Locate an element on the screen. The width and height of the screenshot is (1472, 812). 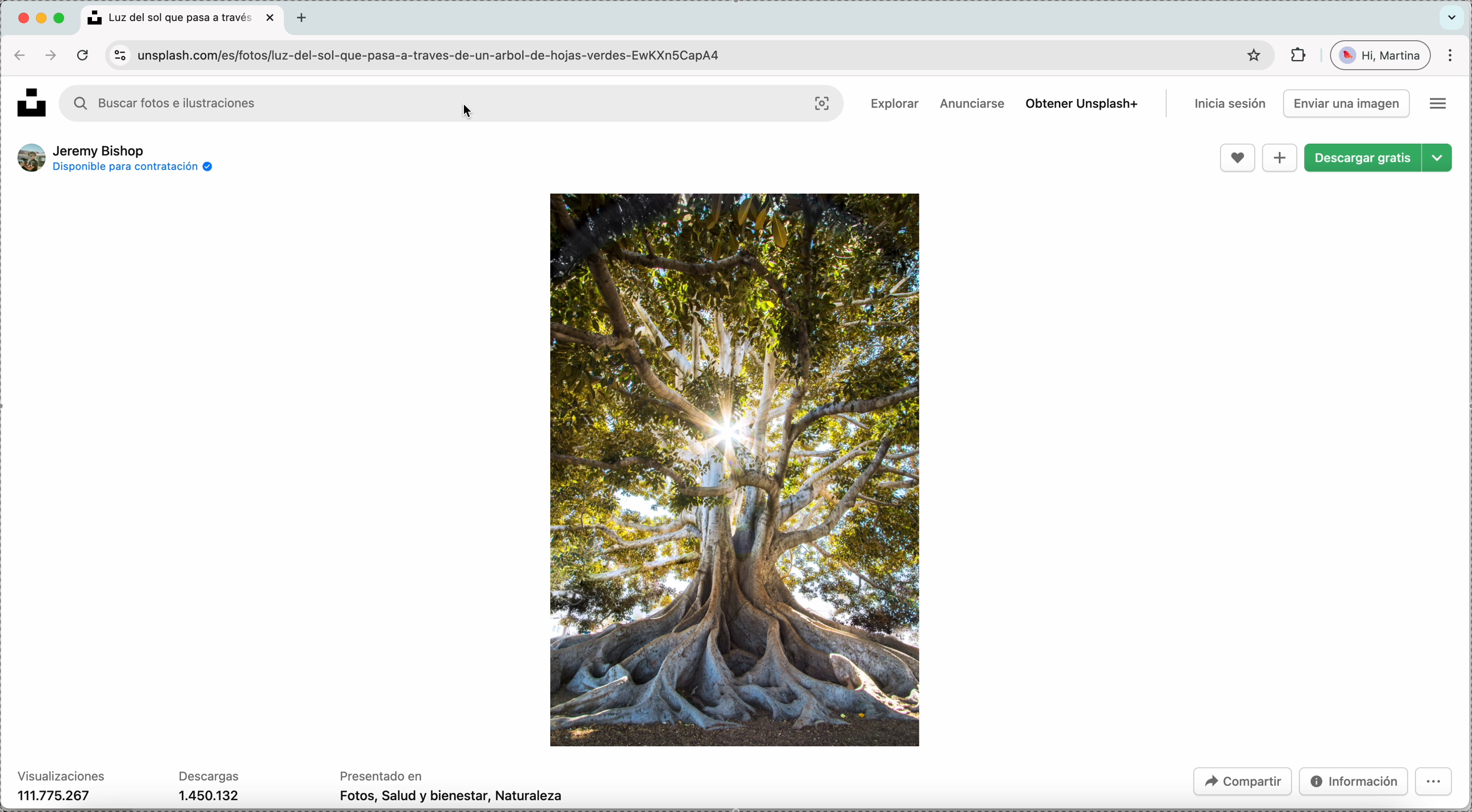
jeremy Bishop is located at coordinates (102, 150).